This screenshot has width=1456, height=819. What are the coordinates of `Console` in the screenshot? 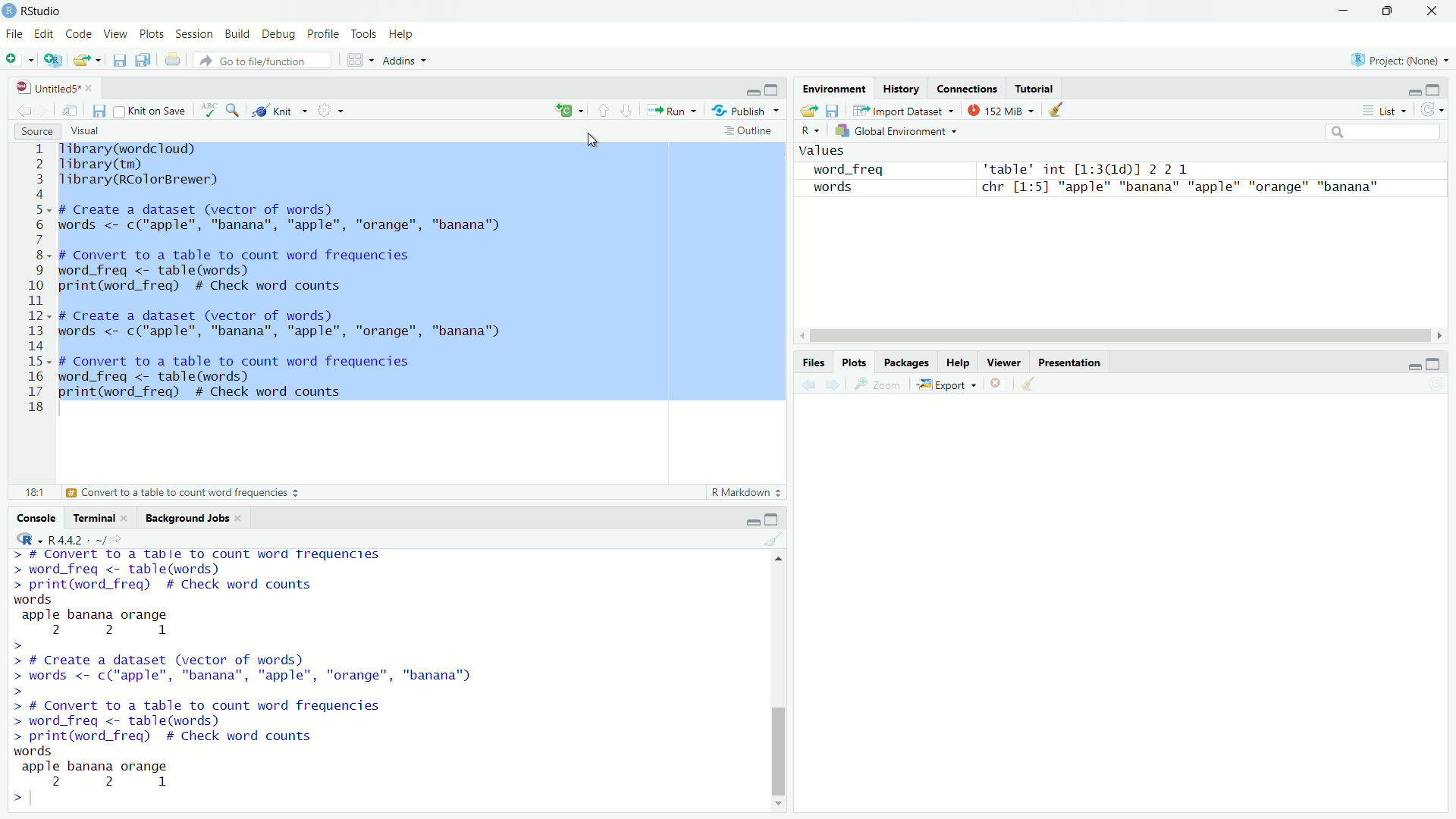 It's located at (32, 517).